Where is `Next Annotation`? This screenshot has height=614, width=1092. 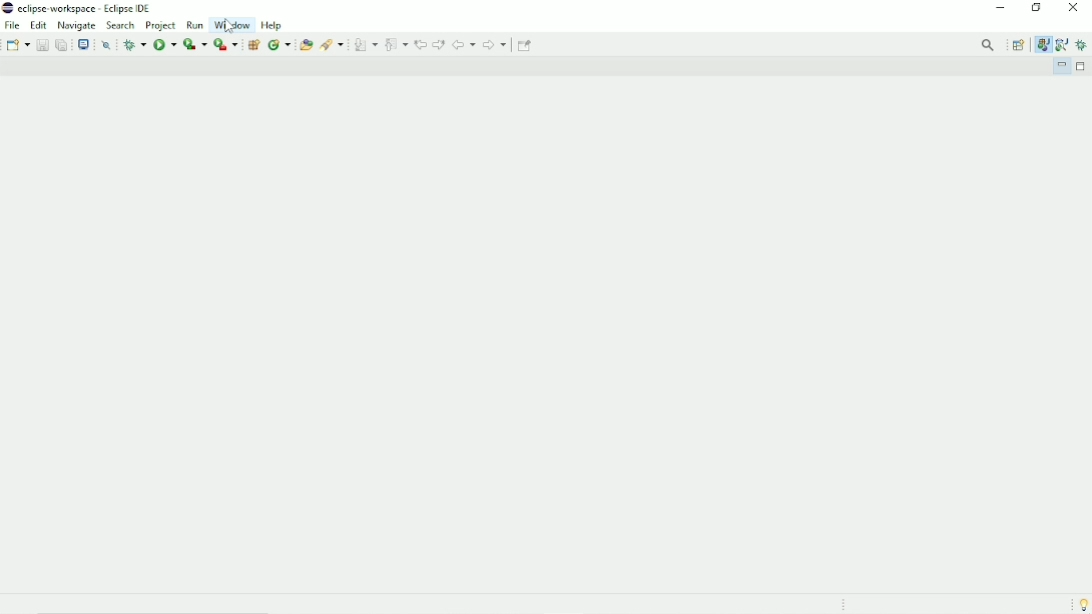
Next Annotation is located at coordinates (365, 45).